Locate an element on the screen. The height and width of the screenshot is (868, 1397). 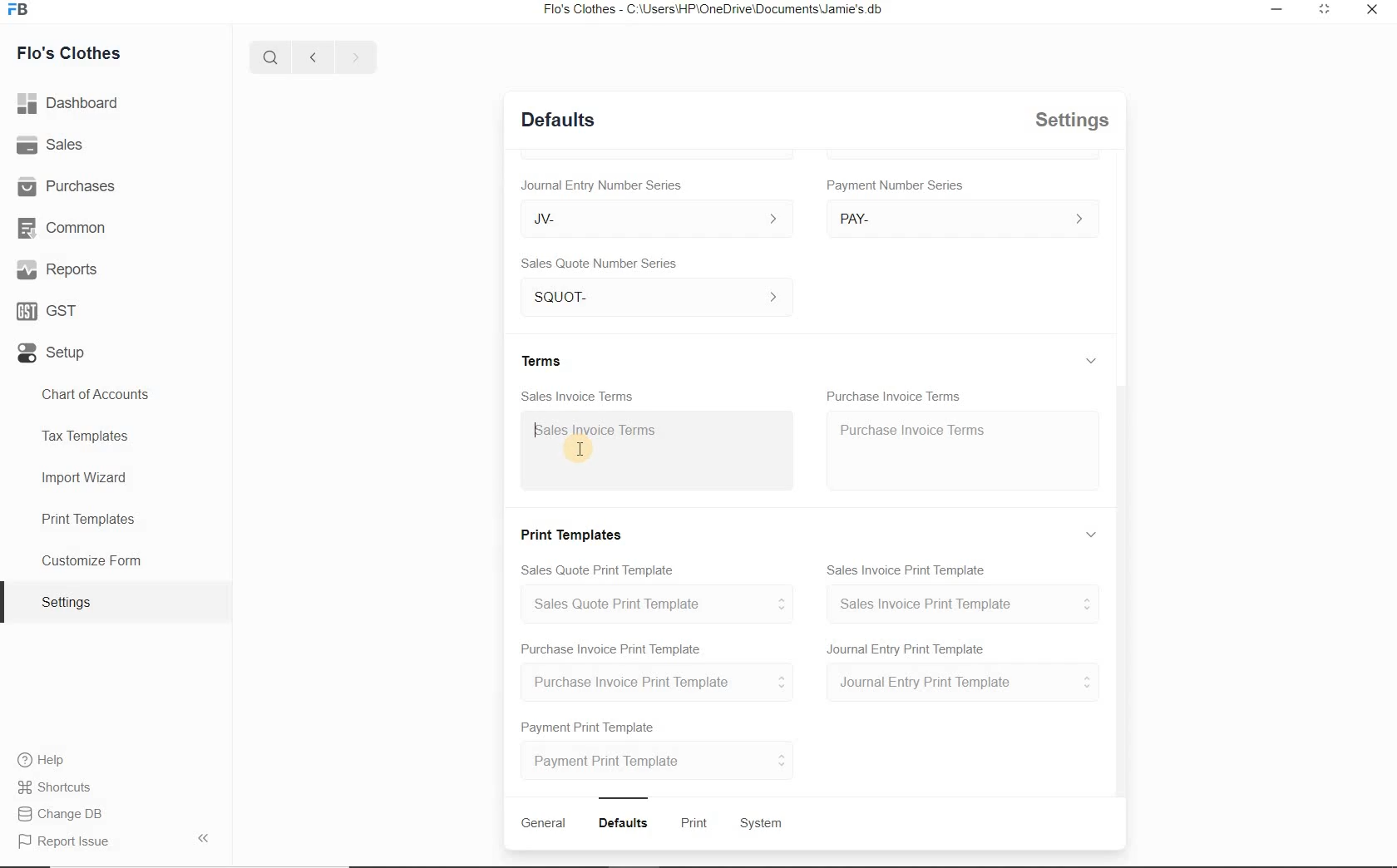
Next is located at coordinates (355, 57).